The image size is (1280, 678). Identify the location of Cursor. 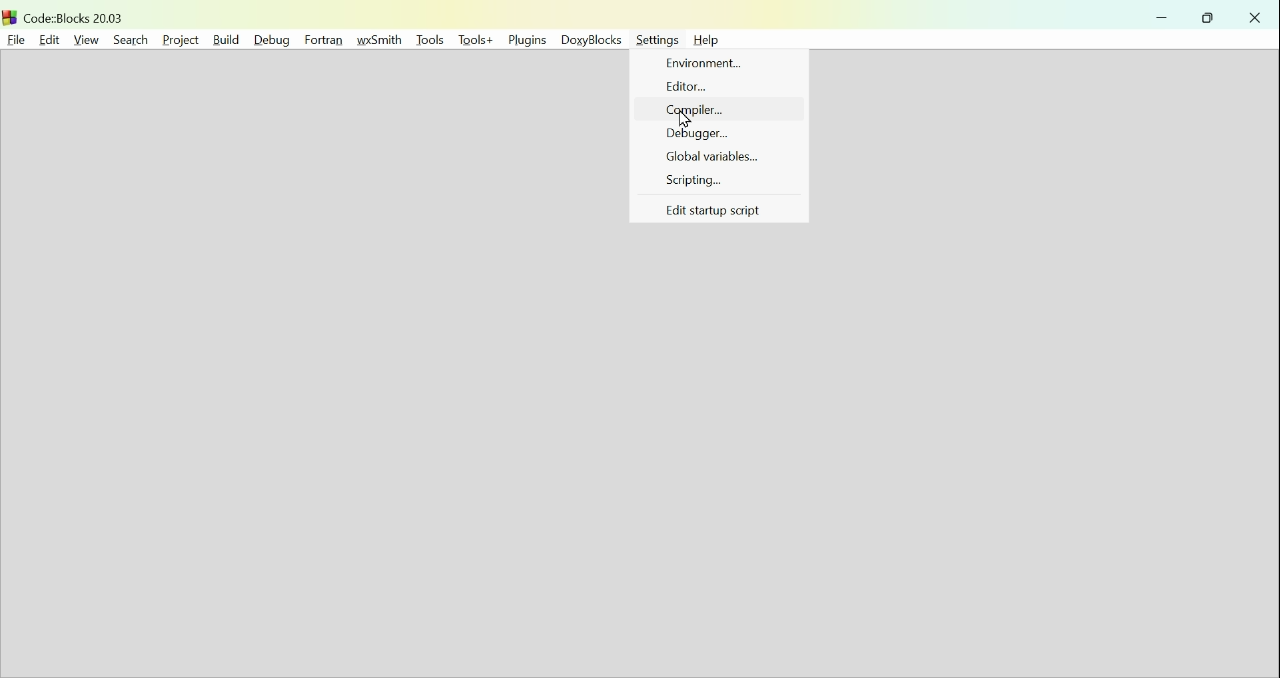
(685, 120).